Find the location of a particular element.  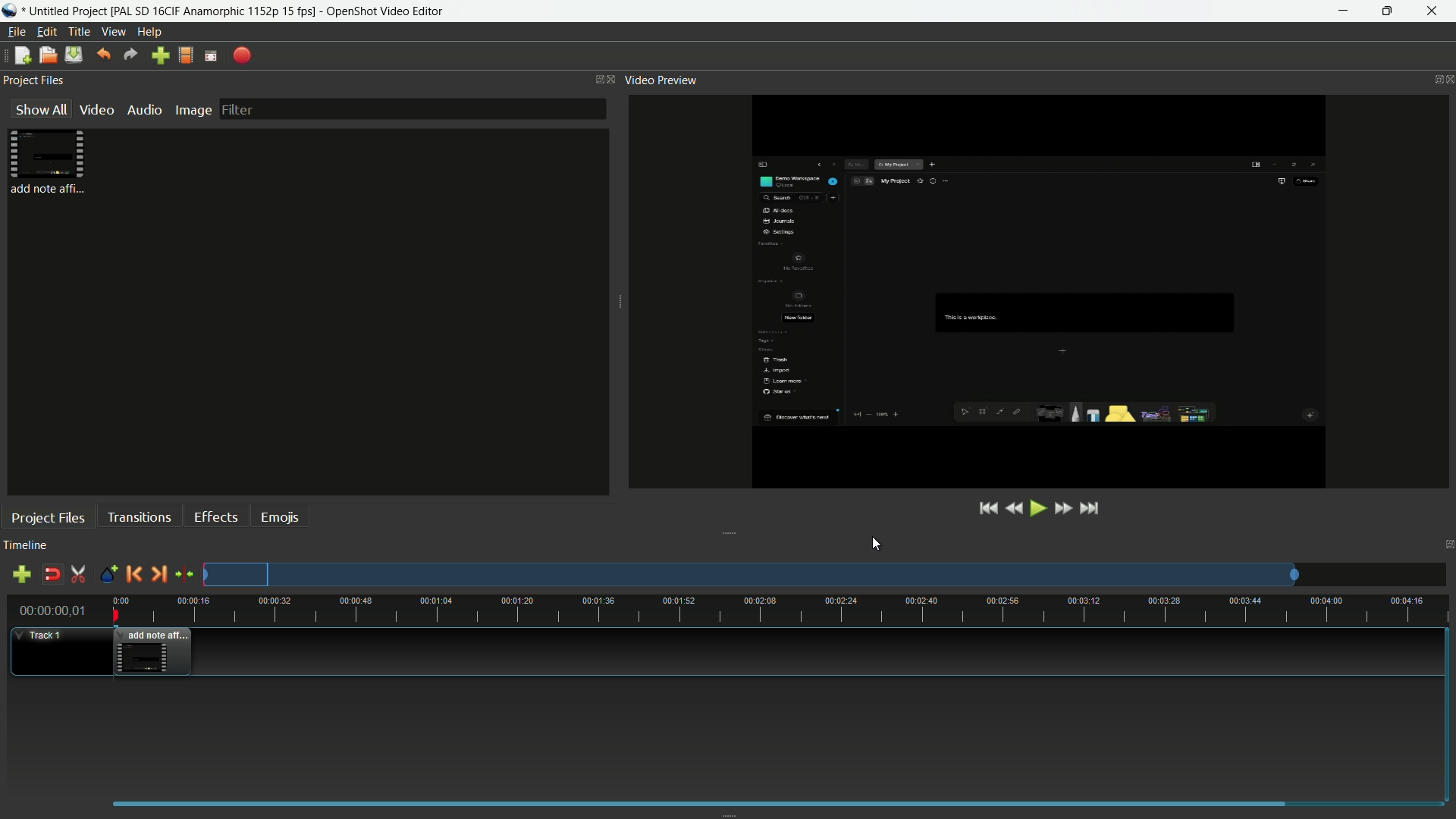

redo is located at coordinates (131, 55).